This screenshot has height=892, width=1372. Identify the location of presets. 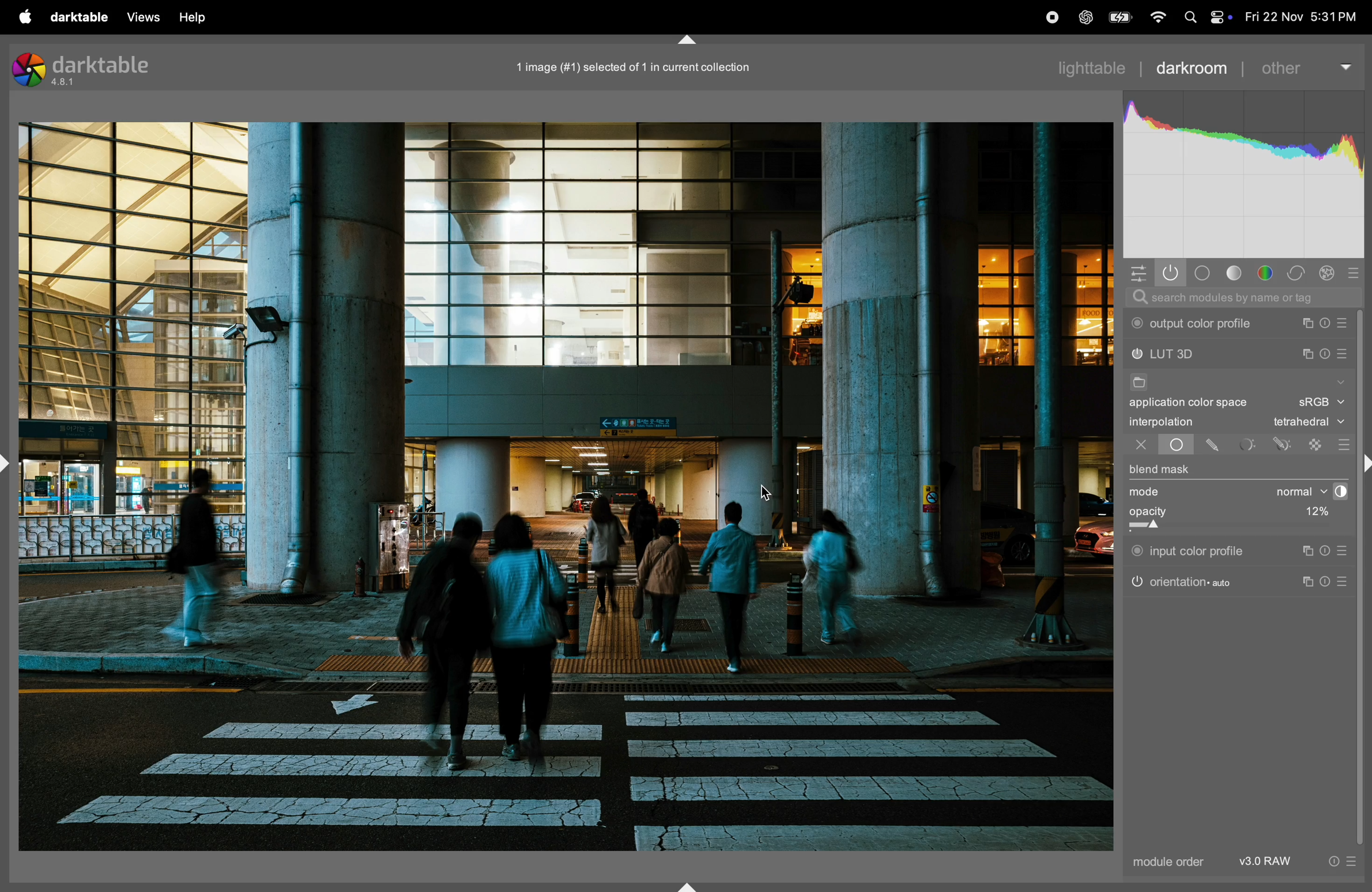
(1345, 323).